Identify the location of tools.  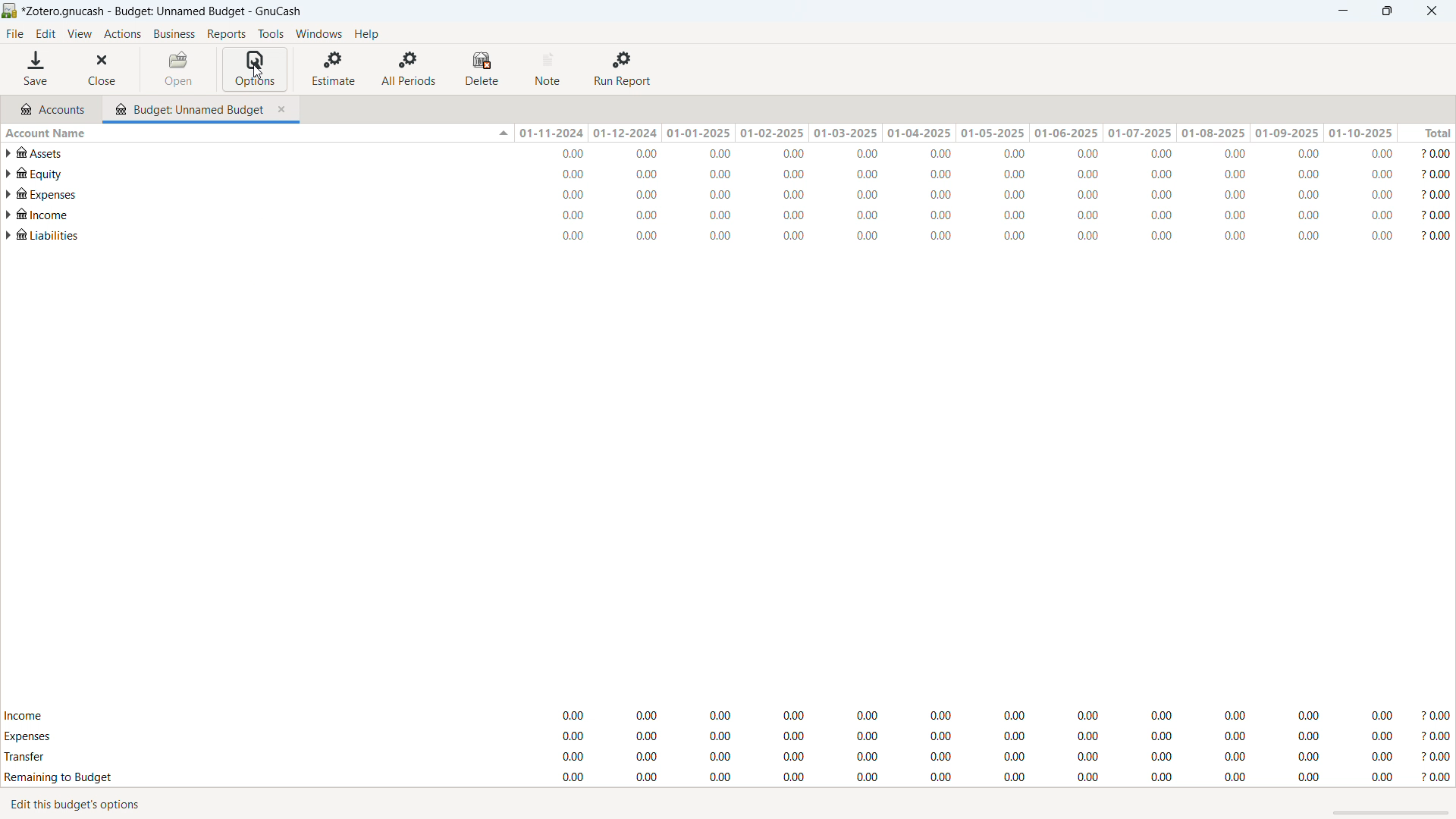
(271, 33).